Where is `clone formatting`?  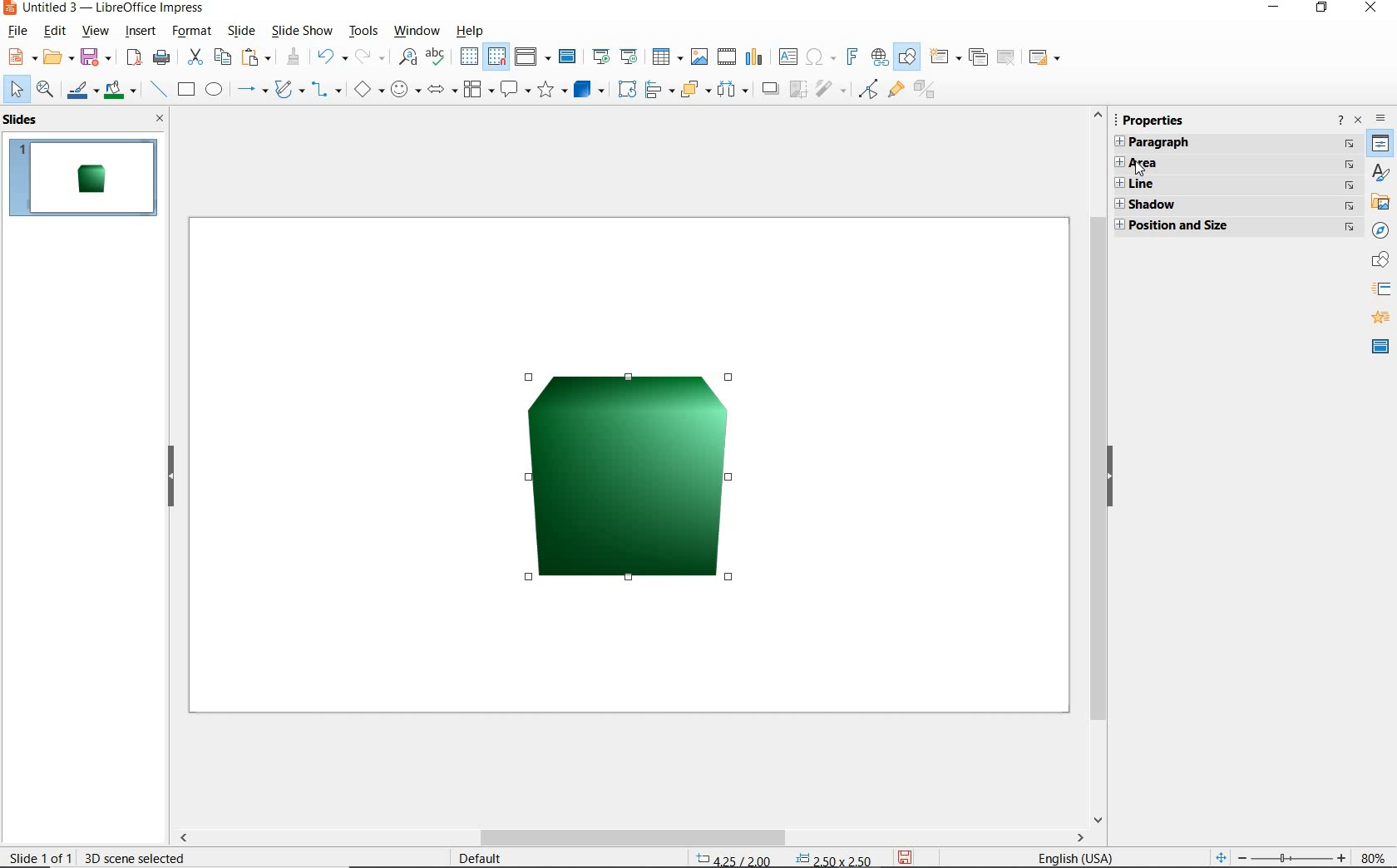 clone formatting is located at coordinates (294, 56).